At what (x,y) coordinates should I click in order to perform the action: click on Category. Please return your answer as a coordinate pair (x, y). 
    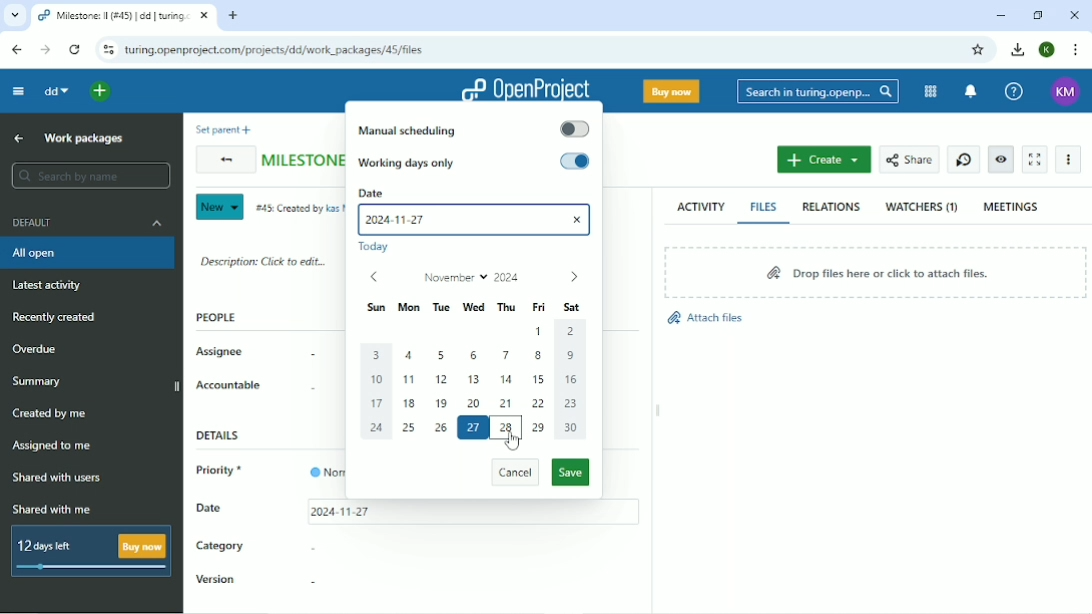
    Looking at the image, I should click on (220, 548).